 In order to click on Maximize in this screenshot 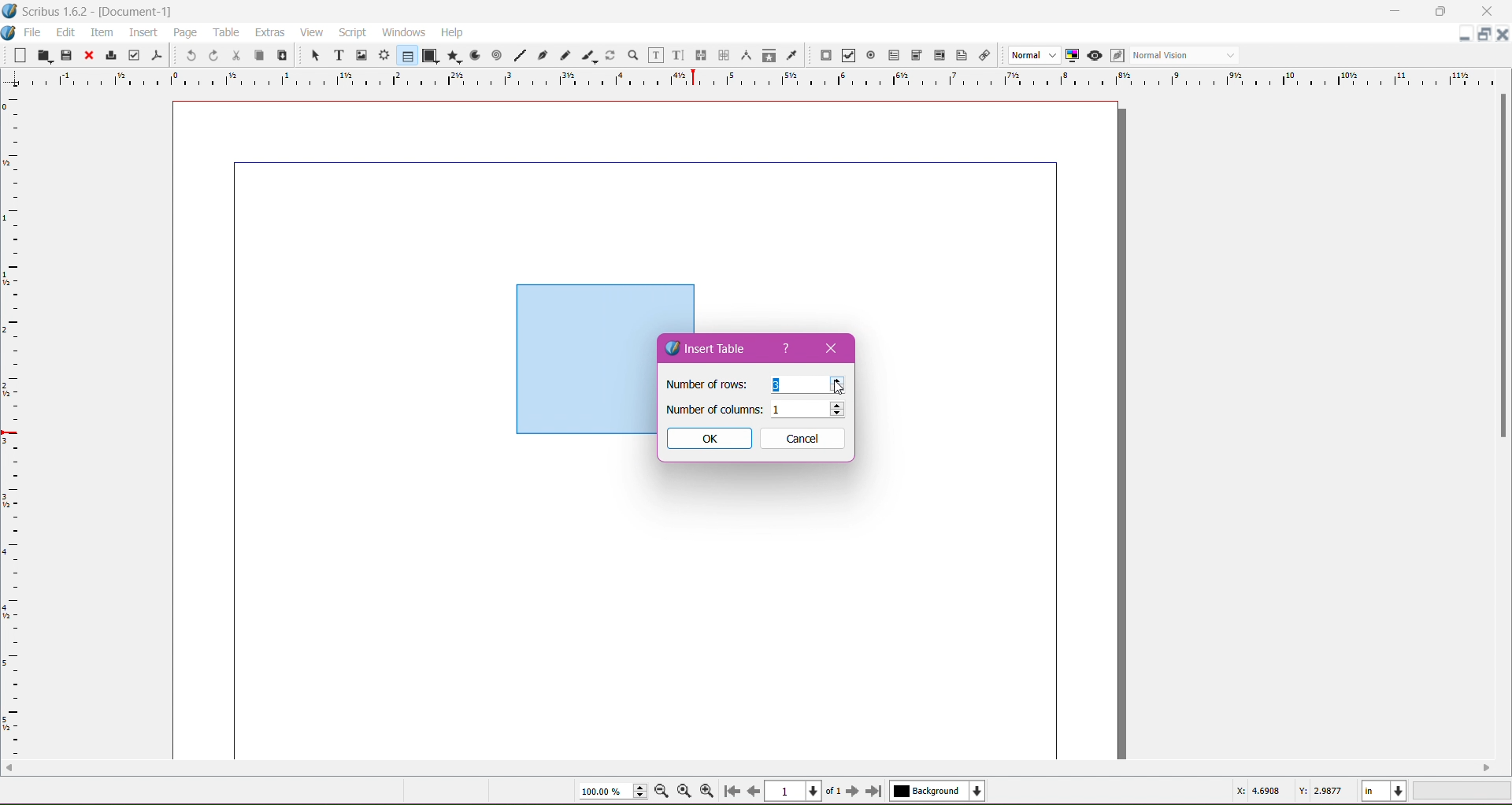, I will do `click(1485, 35)`.